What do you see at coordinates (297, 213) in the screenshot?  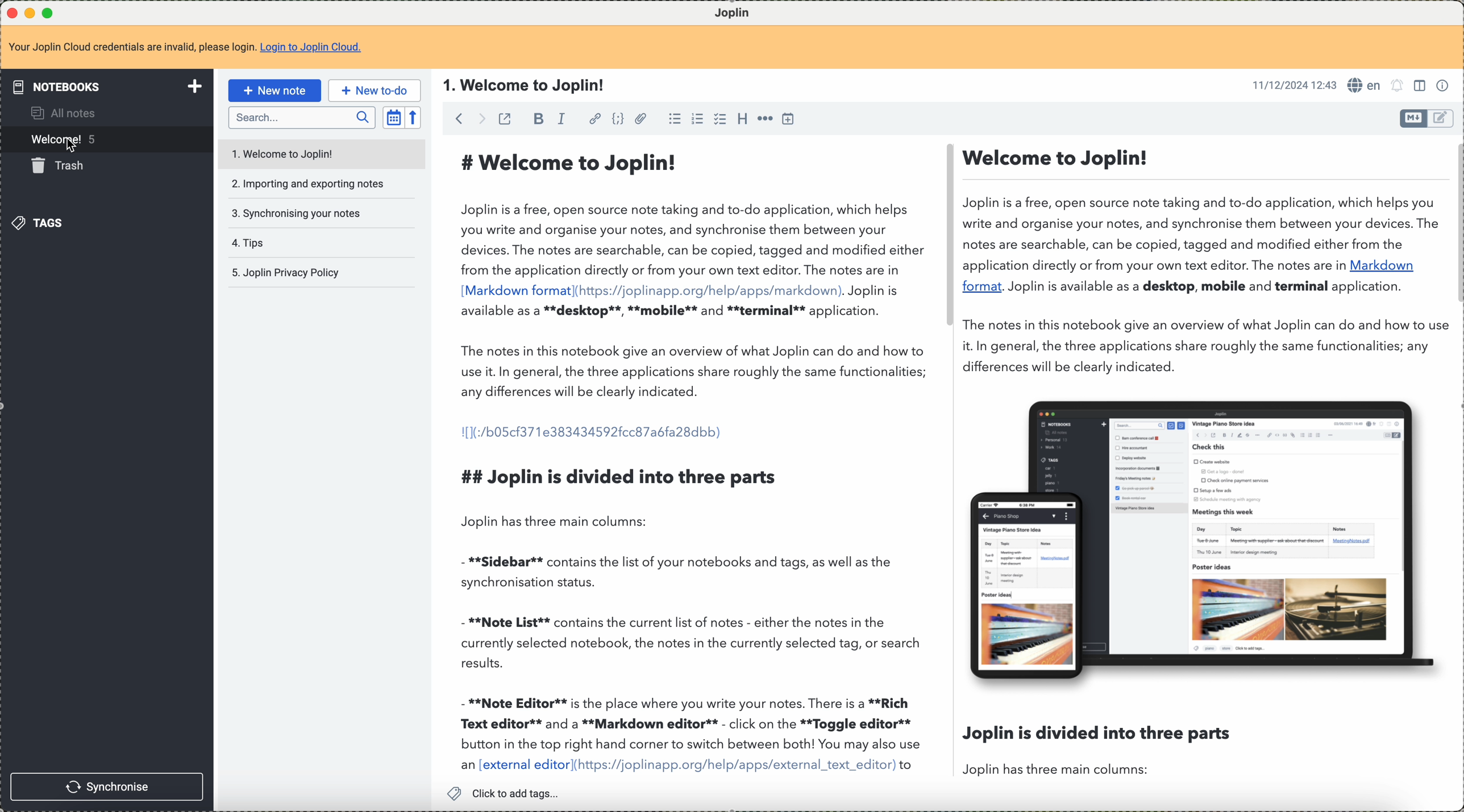 I see `synchronising your notes` at bounding box center [297, 213].